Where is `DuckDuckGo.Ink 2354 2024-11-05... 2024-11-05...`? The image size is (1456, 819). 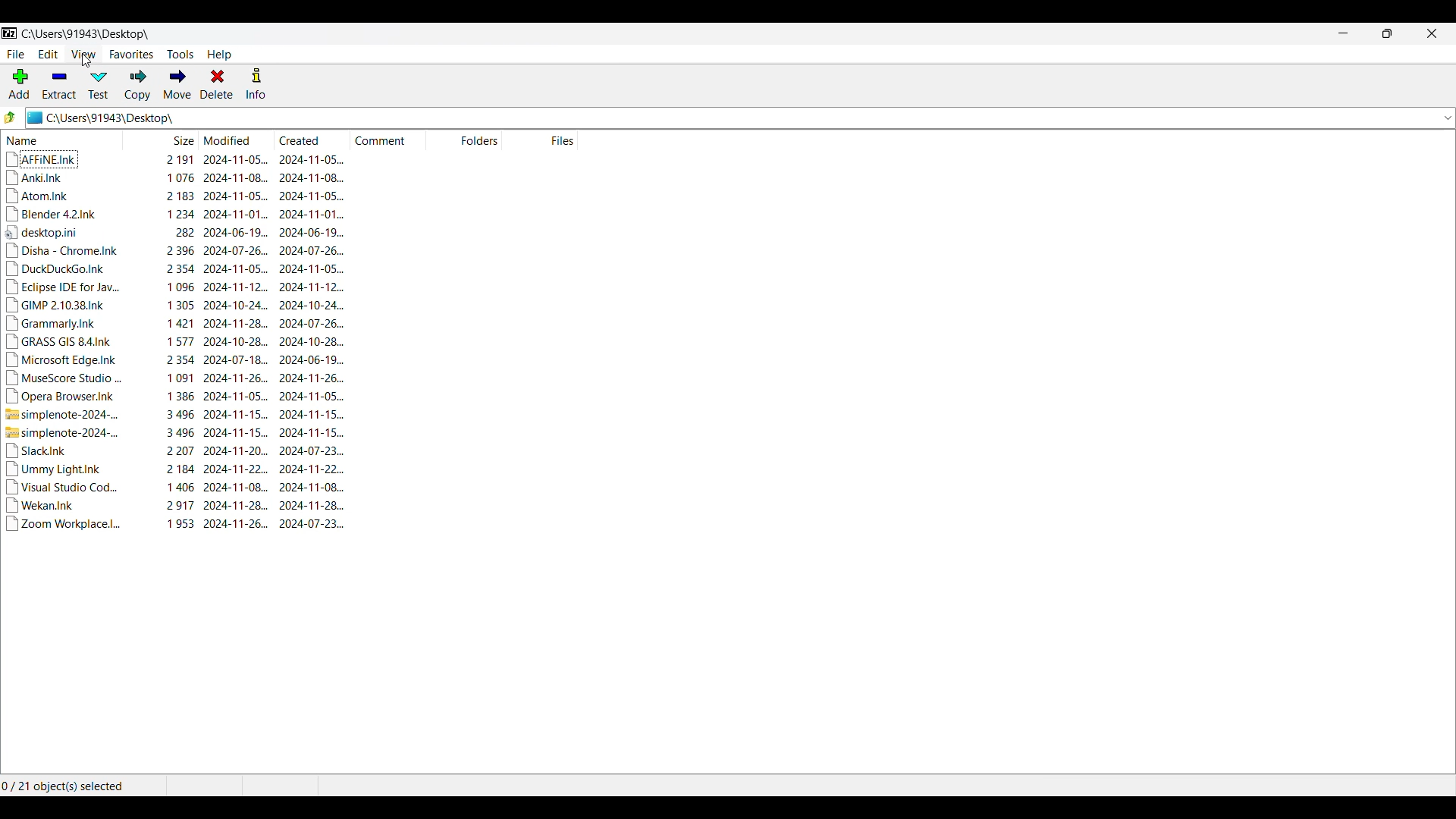
DuckDuckGo.Ink 2354 2024-11-05... 2024-11-05... is located at coordinates (177, 270).